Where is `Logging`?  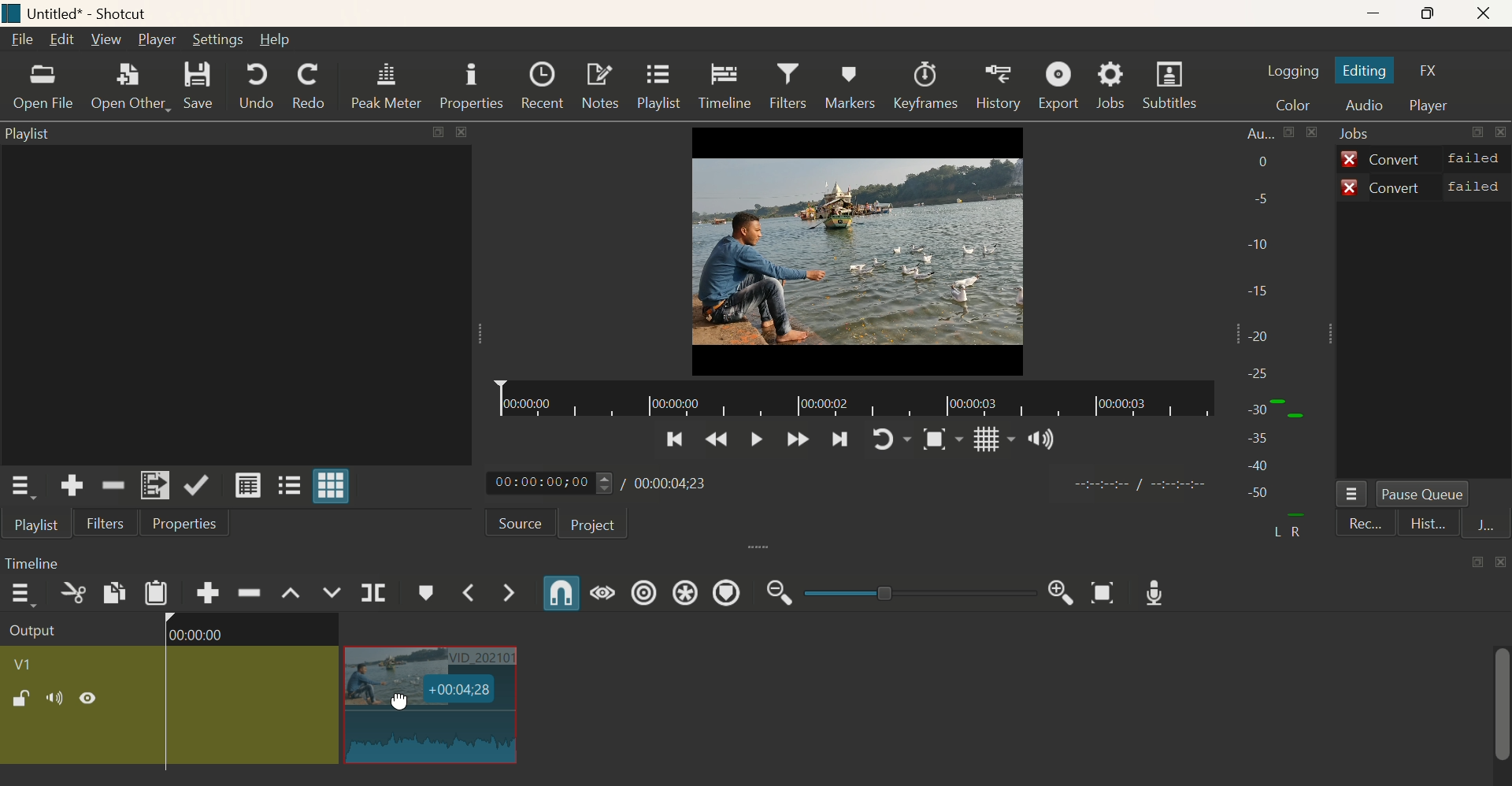
Logging is located at coordinates (1292, 69).